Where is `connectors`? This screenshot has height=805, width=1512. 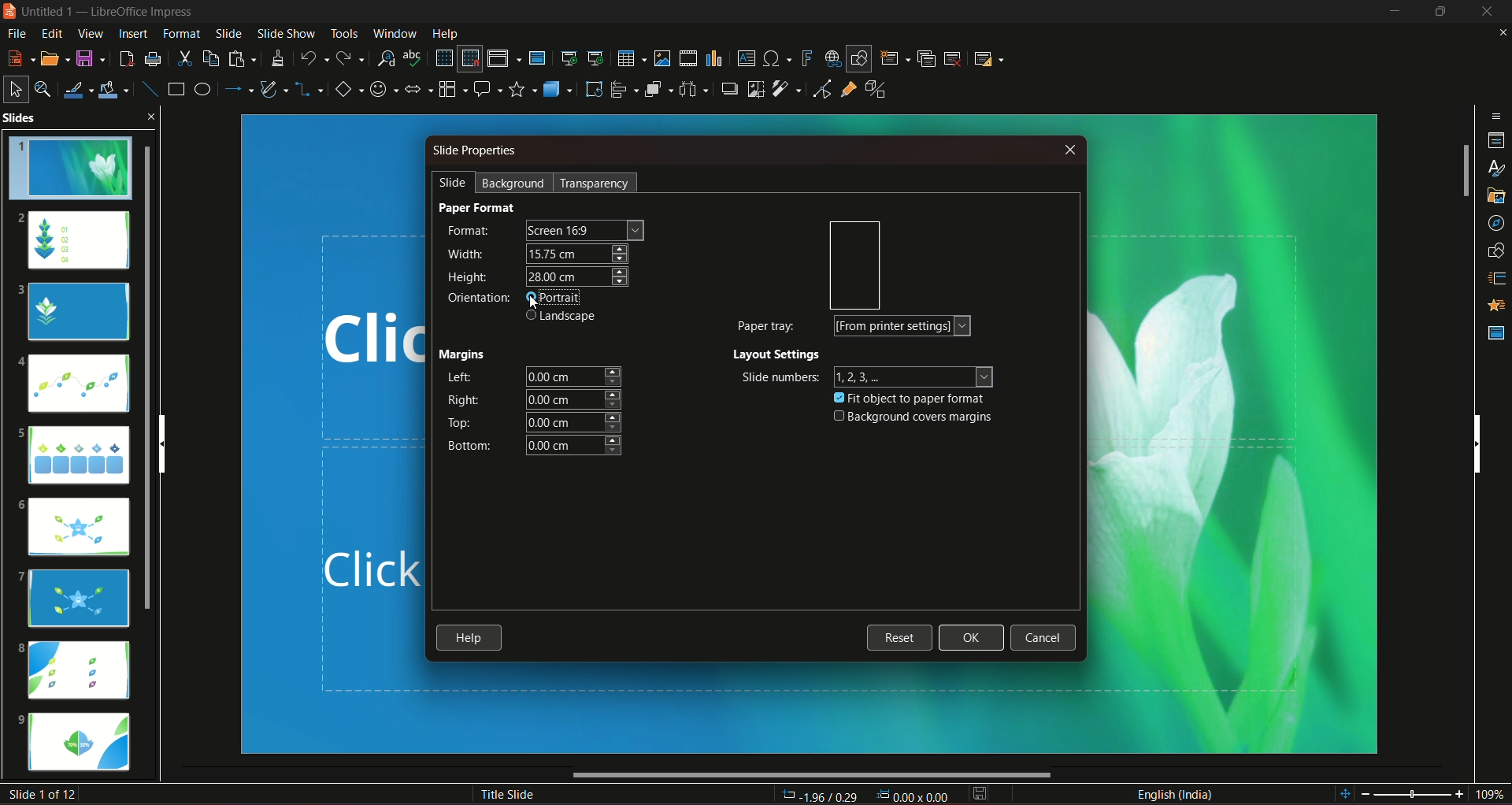 connectors is located at coordinates (309, 90).